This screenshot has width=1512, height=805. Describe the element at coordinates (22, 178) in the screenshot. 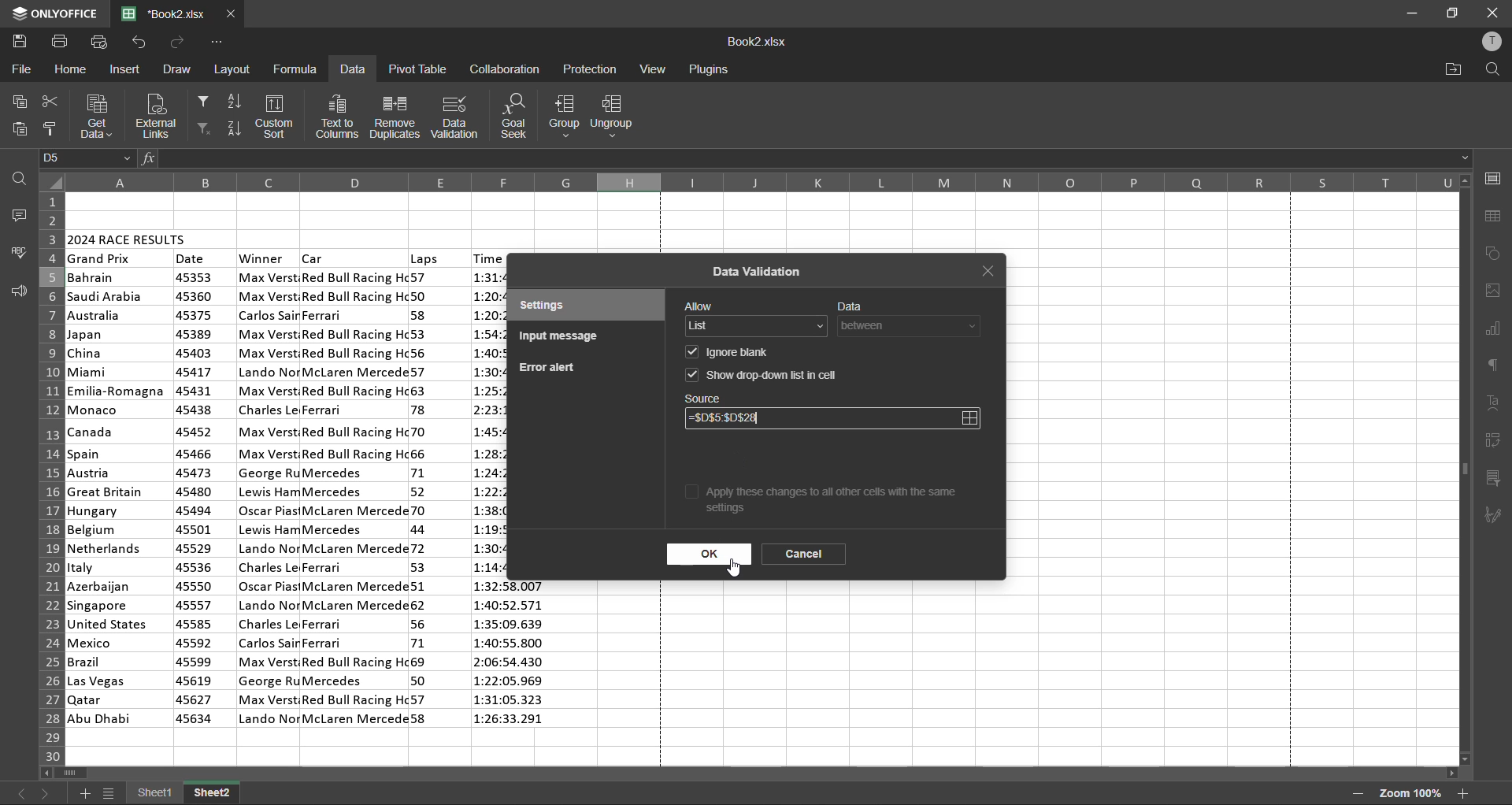

I see `find` at that location.